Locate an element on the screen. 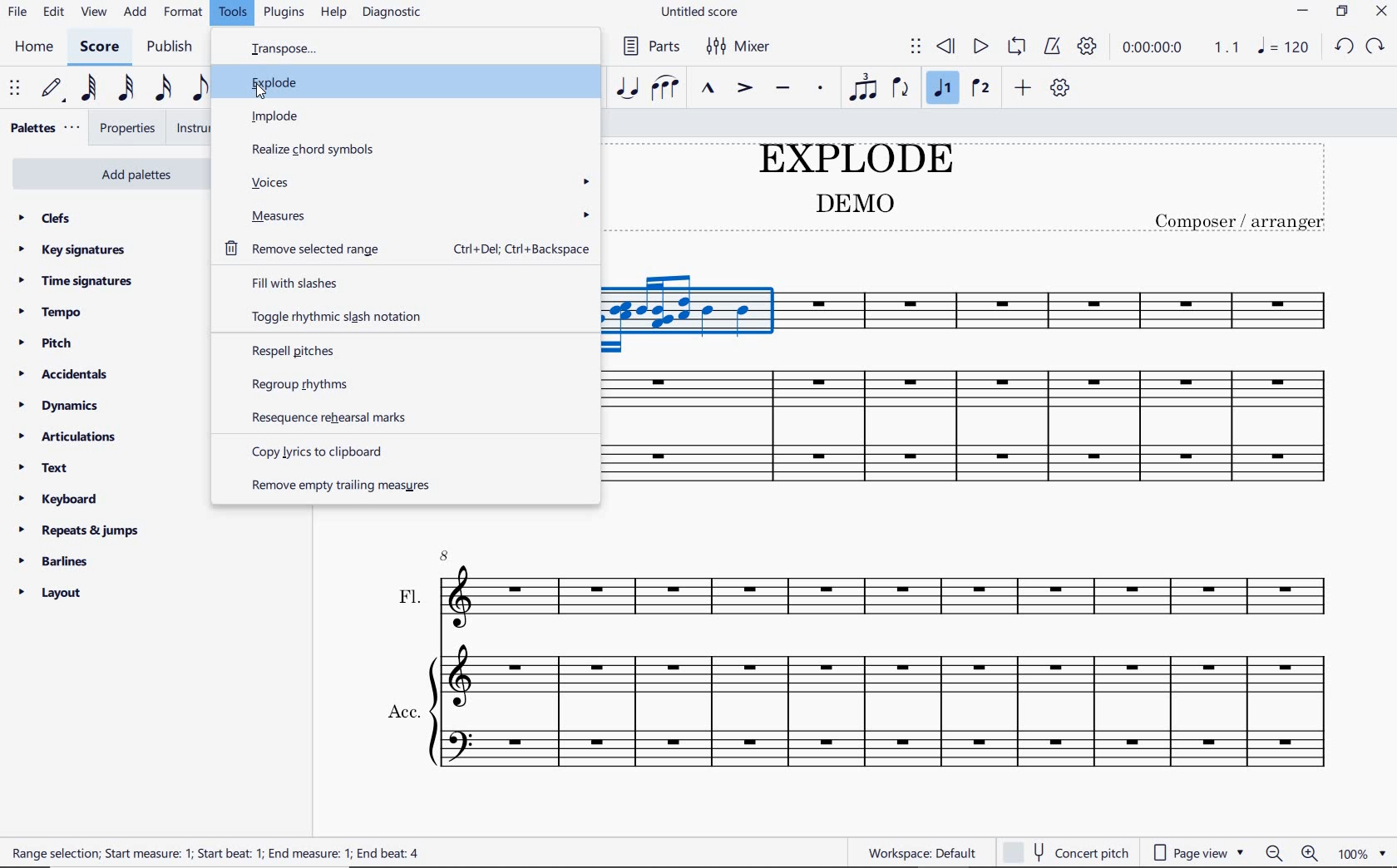 The width and height of the screenshot is (1397, 868). accidentals is located at coordinates (68, 374).